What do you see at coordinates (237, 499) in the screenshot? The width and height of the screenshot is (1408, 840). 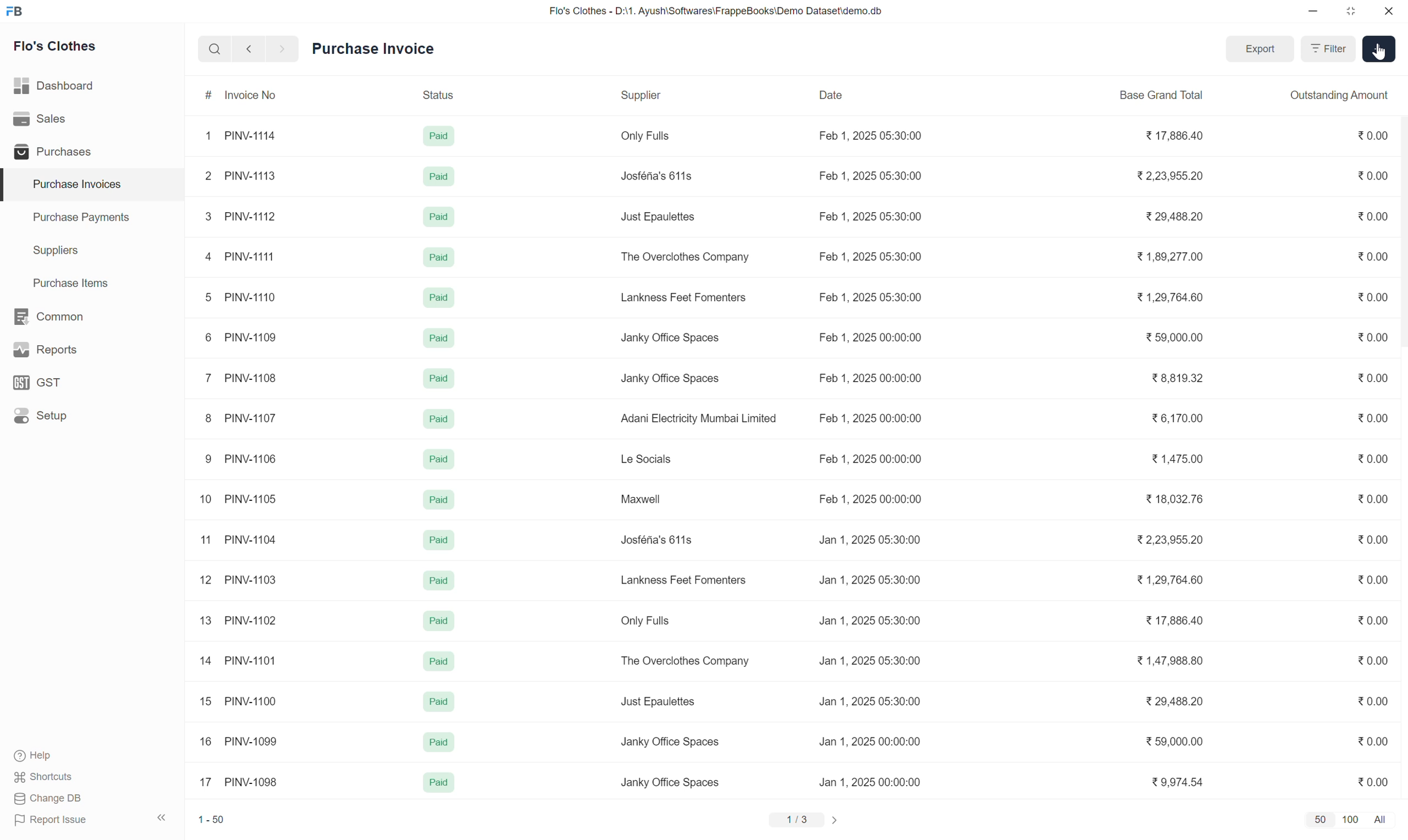 I see `10 PINV-1105` at bounding box center [237, 499].